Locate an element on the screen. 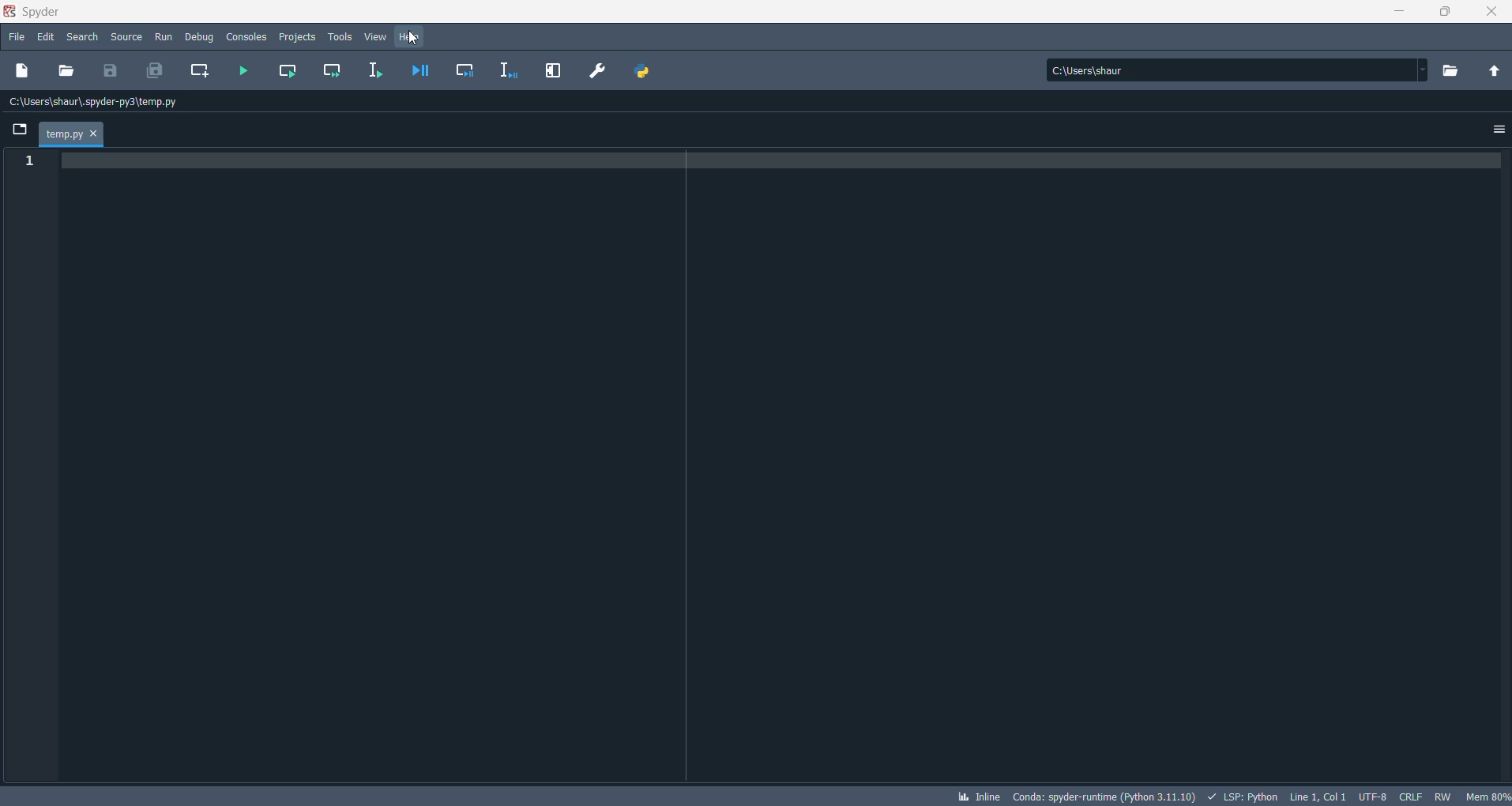 The height and width of the screenshot is (806, 1512). debug file is located at coordinates (419, 72).